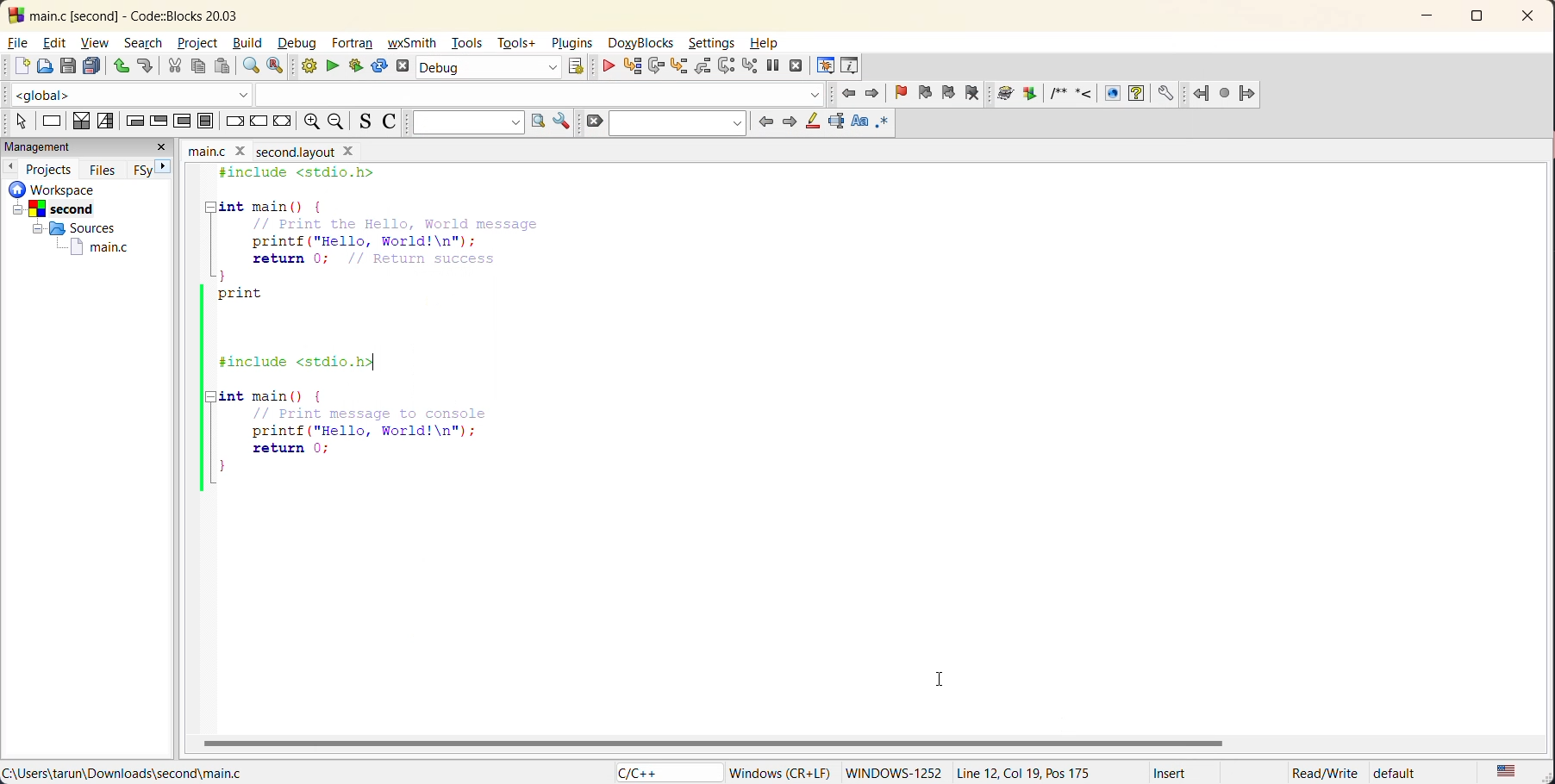 This screenshot has width=1555, height=784. Describe the element at coordinates (236, 121) in the screenshot. I see `break instruction` at that location.